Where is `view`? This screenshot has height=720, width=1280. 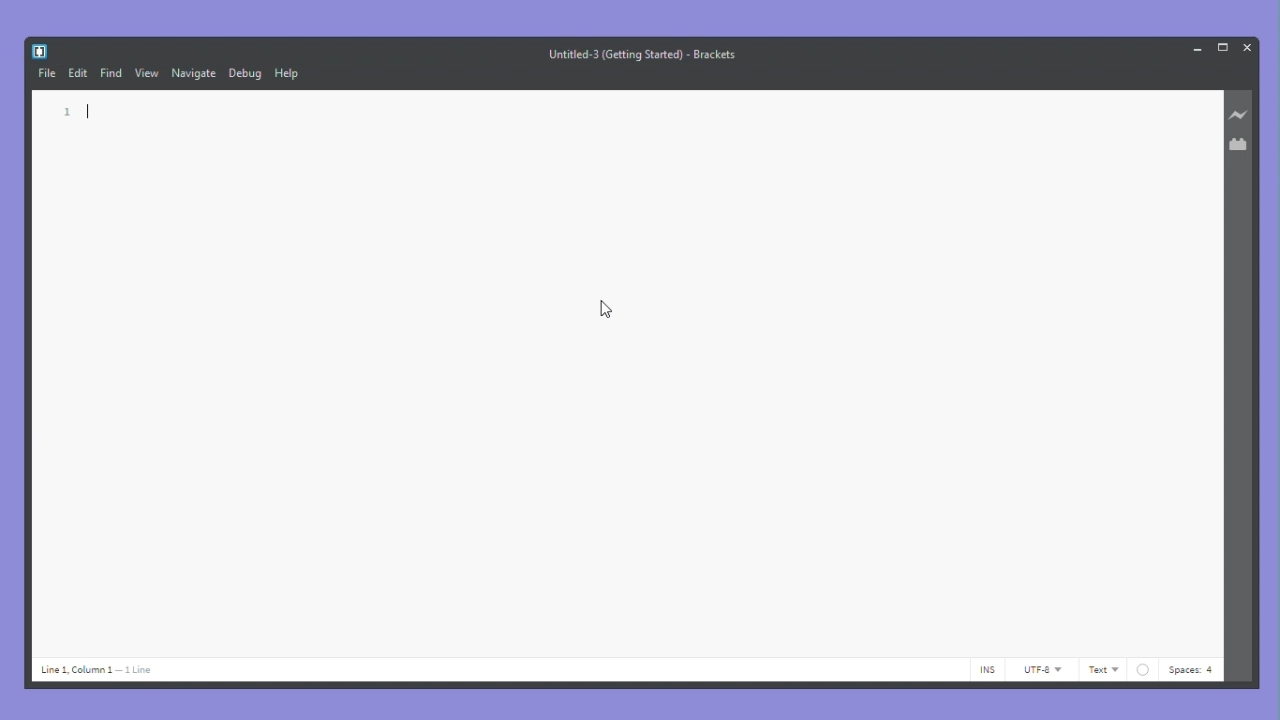 view is located at coordinates (147, 74).